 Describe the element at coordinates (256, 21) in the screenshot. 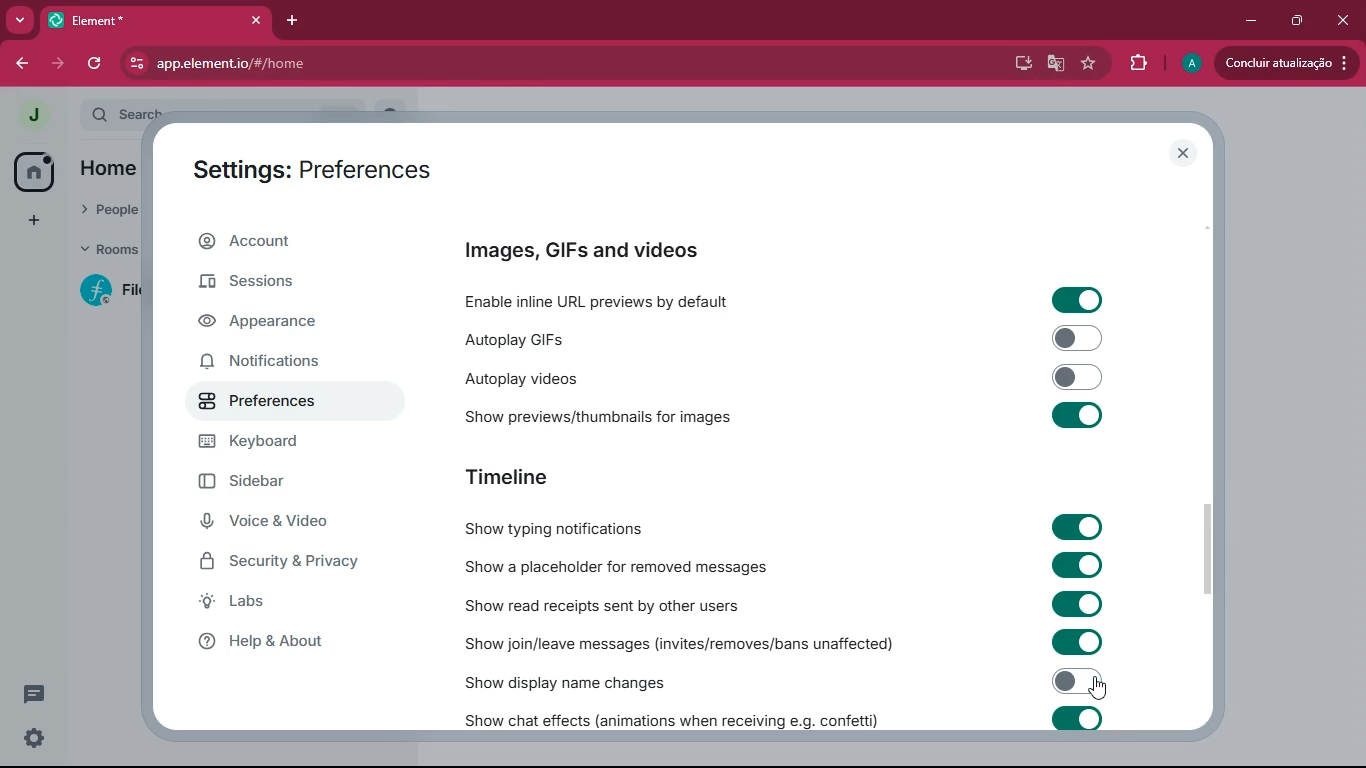

I see `close tab` at that location.